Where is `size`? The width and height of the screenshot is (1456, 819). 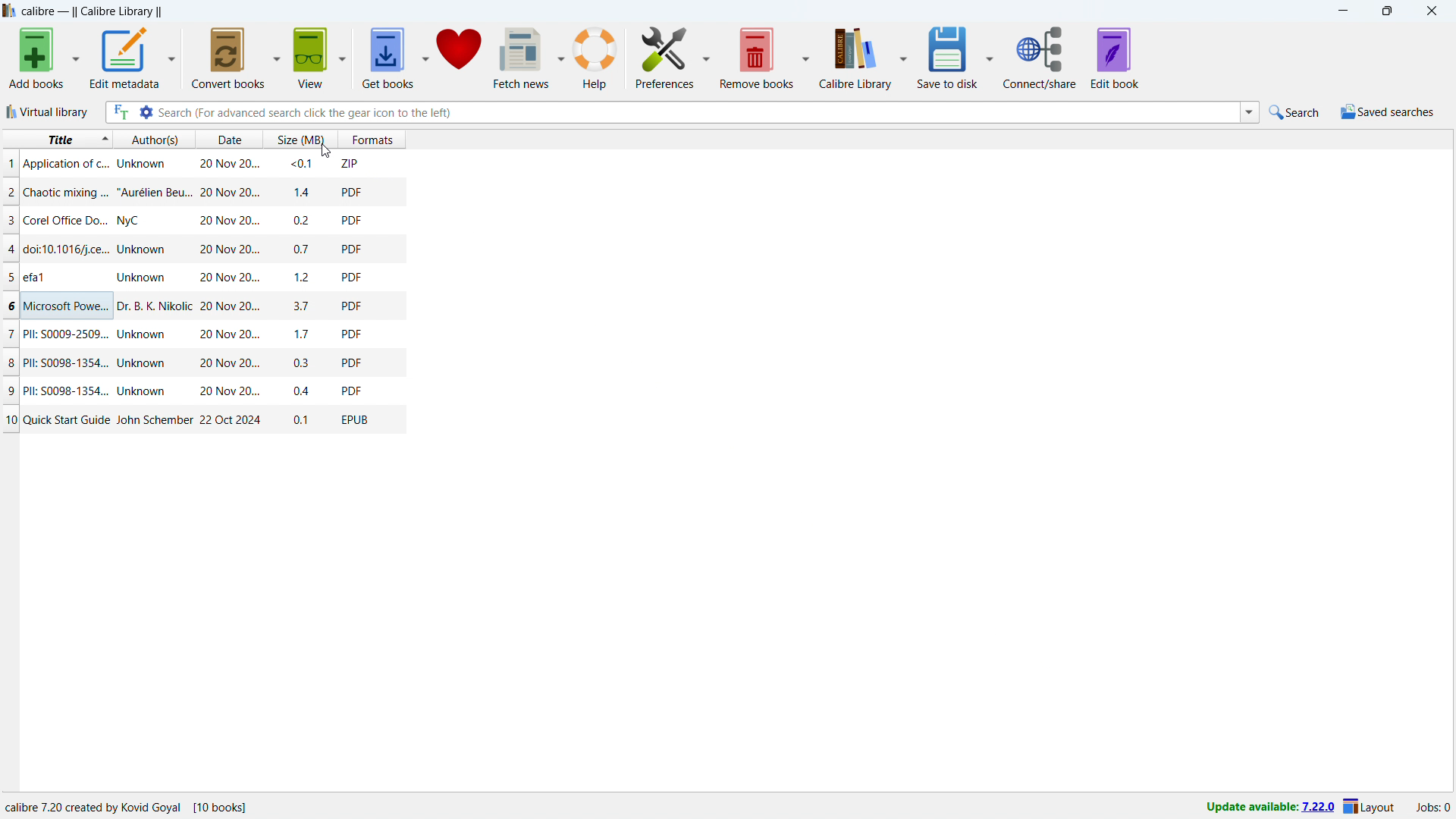 size is located at coordinates (303, 219).